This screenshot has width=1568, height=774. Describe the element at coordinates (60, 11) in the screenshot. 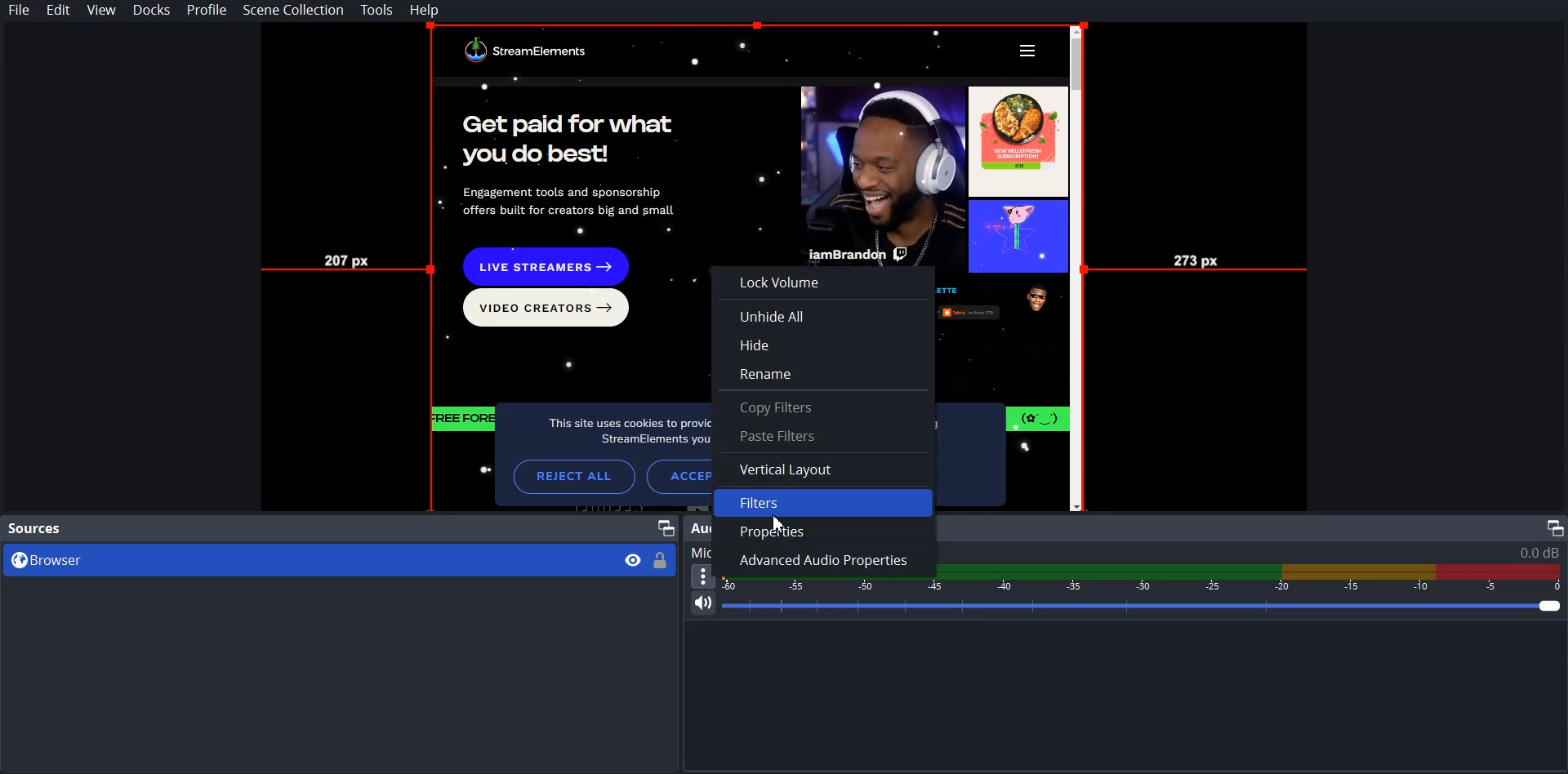

I see `Edit` at that location.